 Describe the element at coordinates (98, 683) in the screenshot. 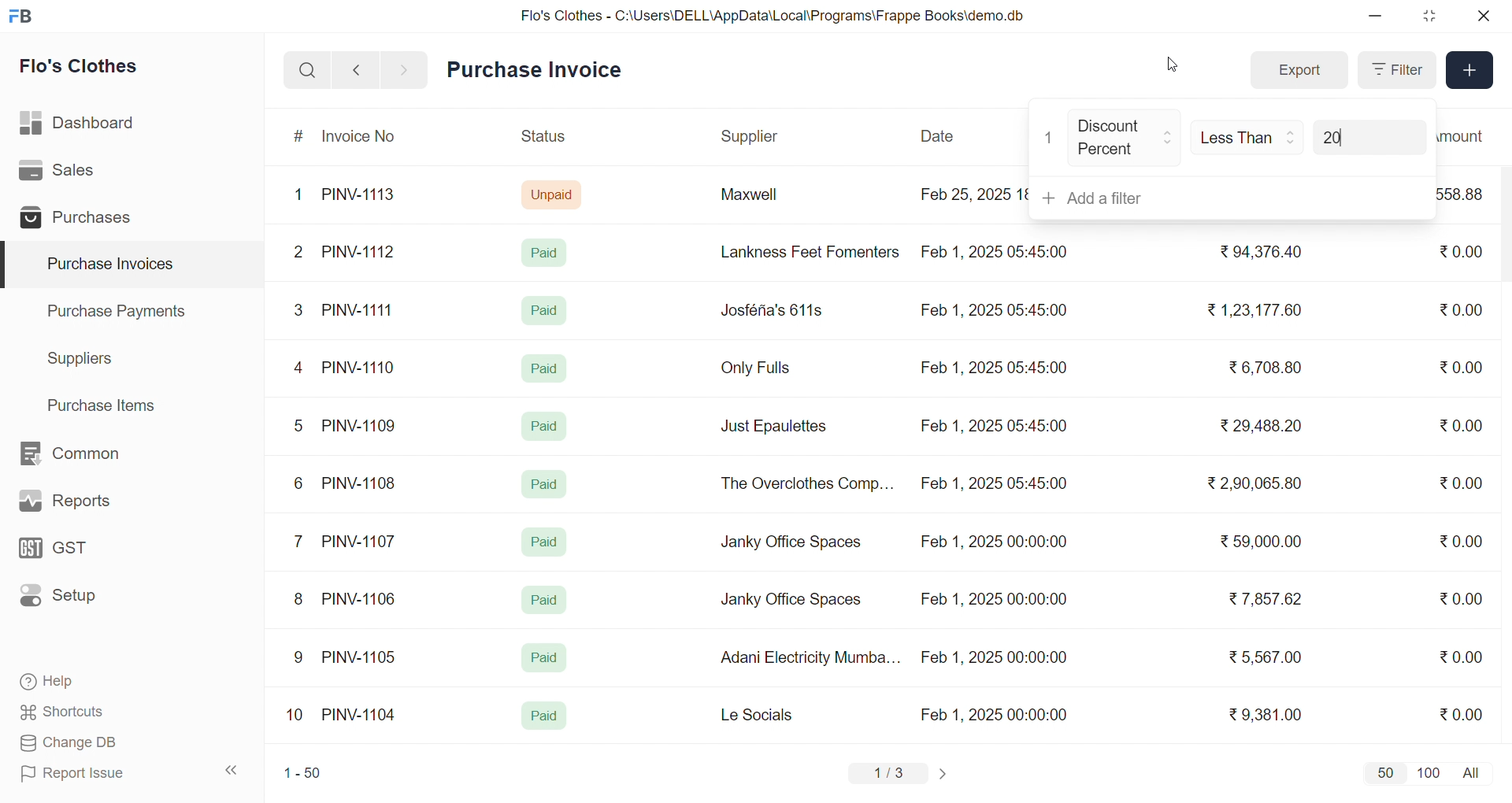

I see `Help` at that location.